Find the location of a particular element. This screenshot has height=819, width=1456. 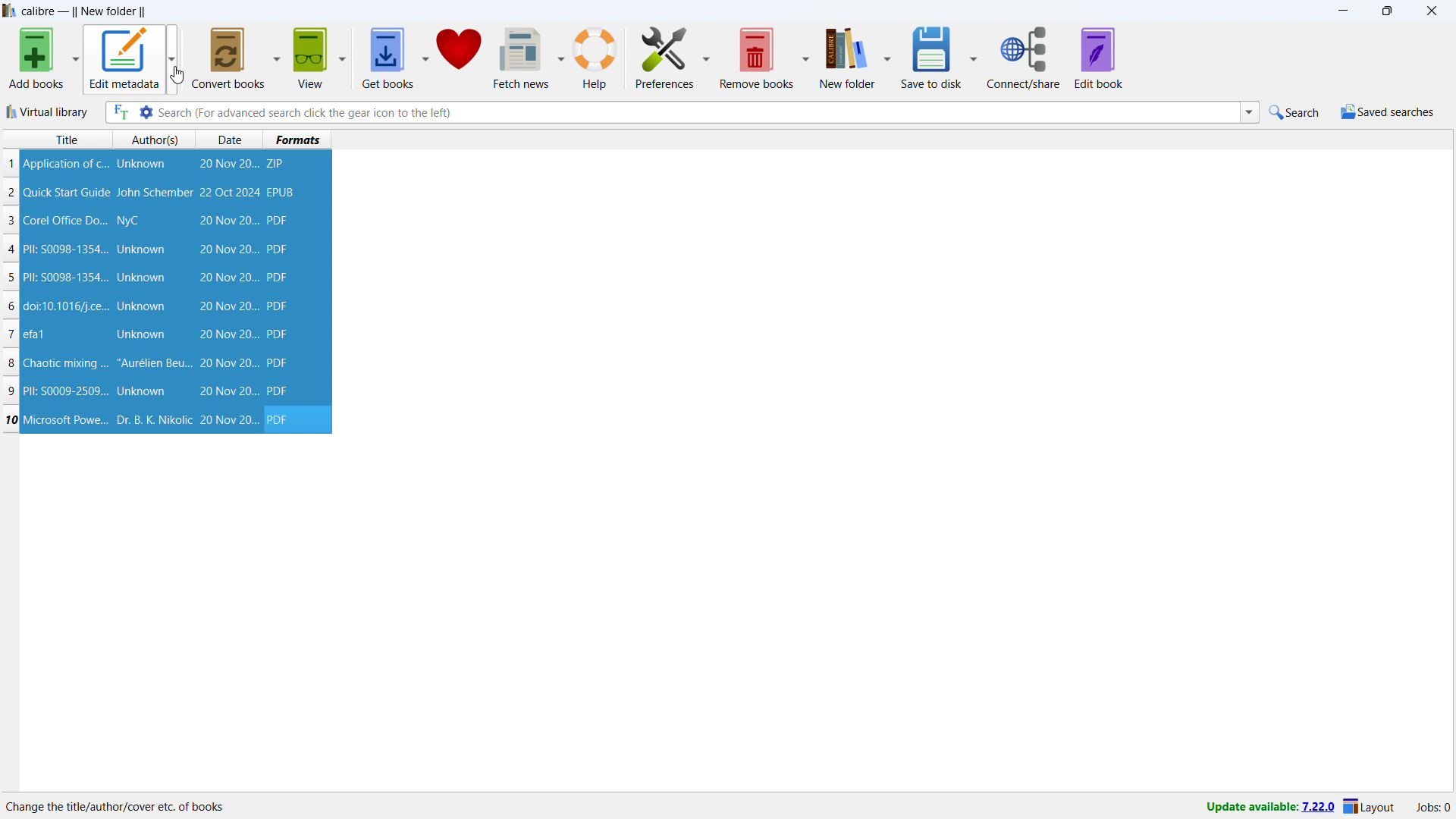

6 is located at coordinates (10, 307).